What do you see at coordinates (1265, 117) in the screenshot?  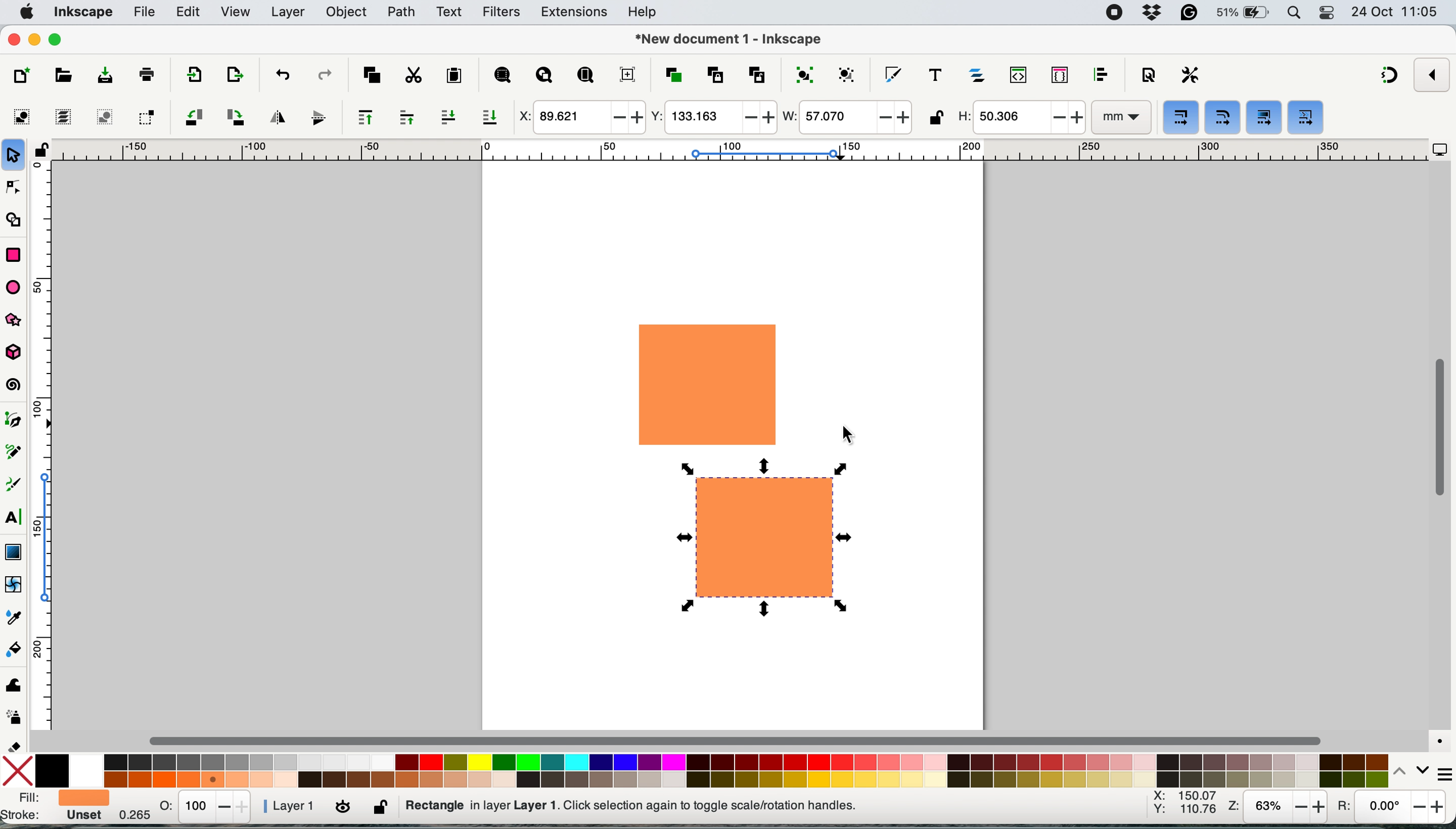 I see `move gradients` at bounding box center [1265, 117].